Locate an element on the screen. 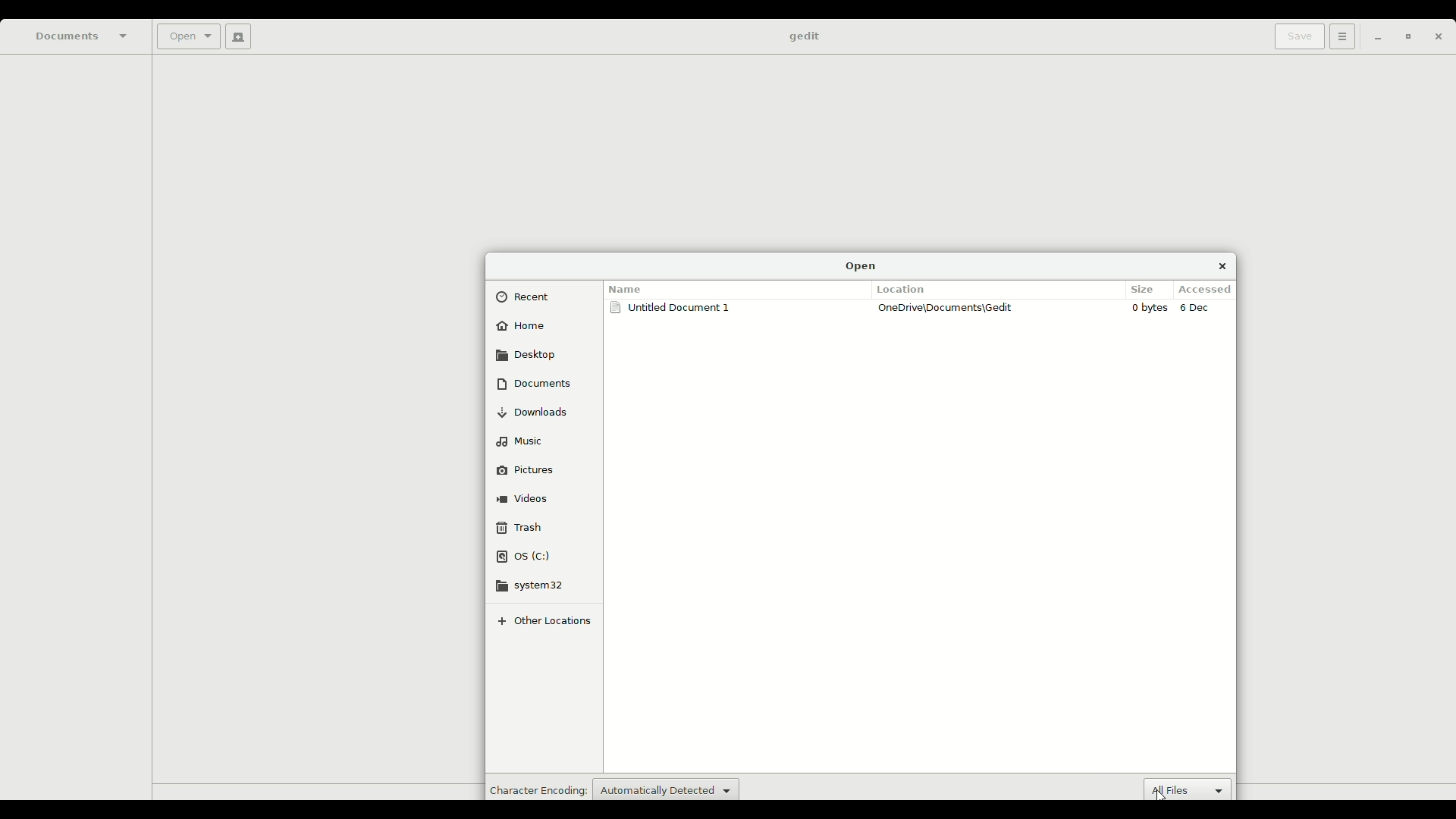 This screenshot has height=819, width=1456. Name is located at coordinates (628, 286).